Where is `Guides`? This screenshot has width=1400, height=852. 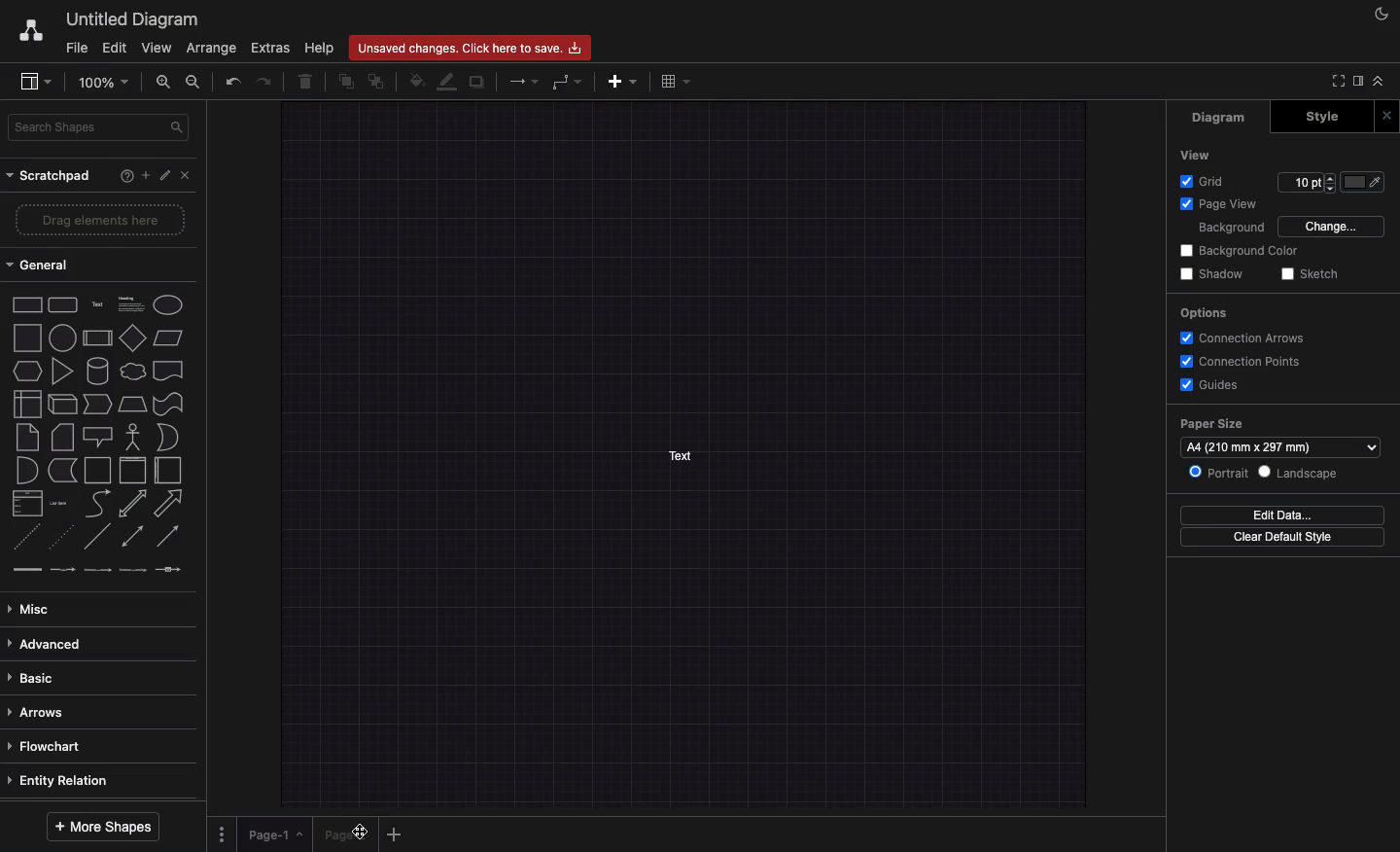 Guides is located at coordinates (1215, 385).